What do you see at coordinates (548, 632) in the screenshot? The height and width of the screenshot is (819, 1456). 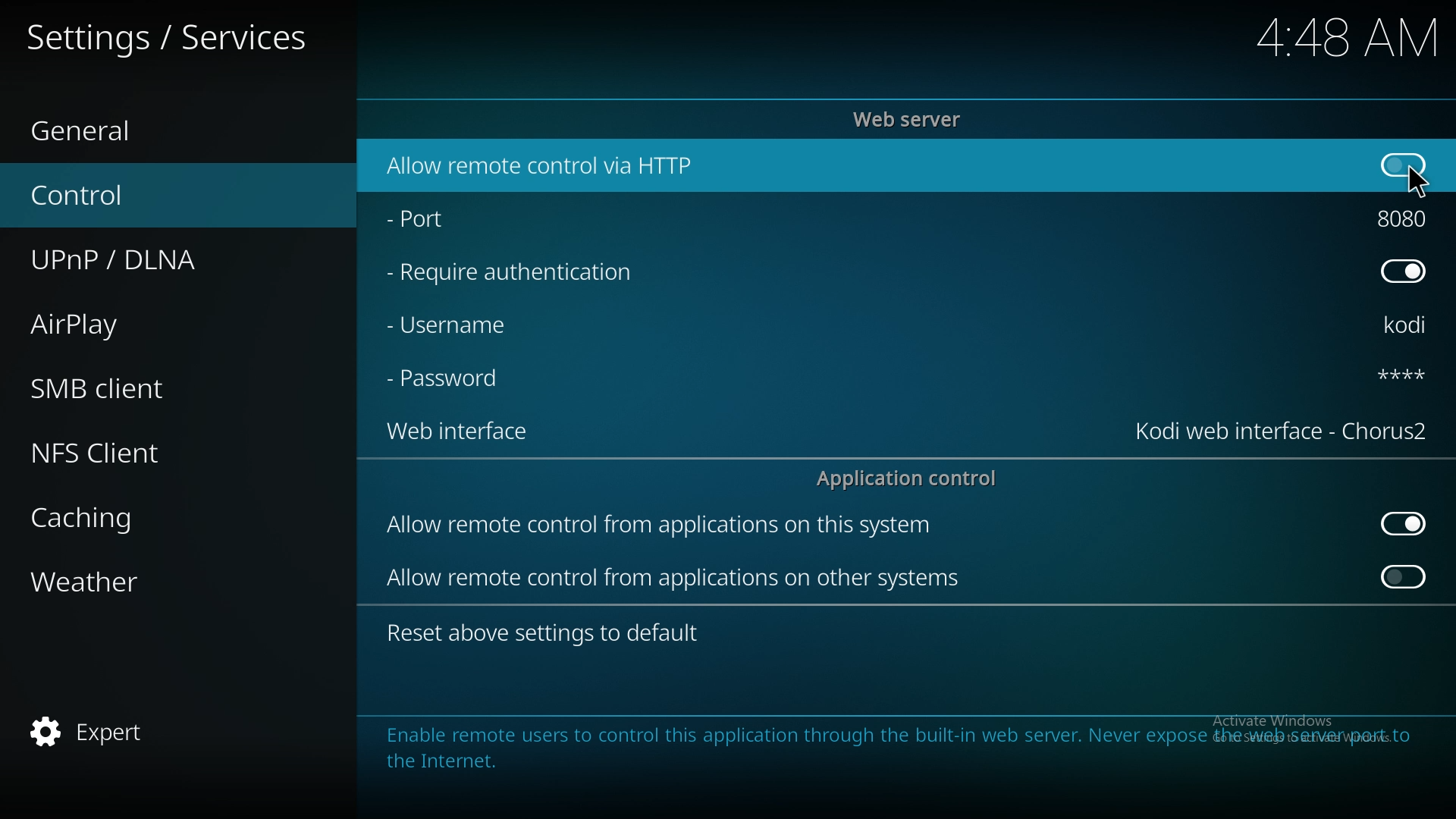 I see `reset settings` at bounding box center [548, 632].